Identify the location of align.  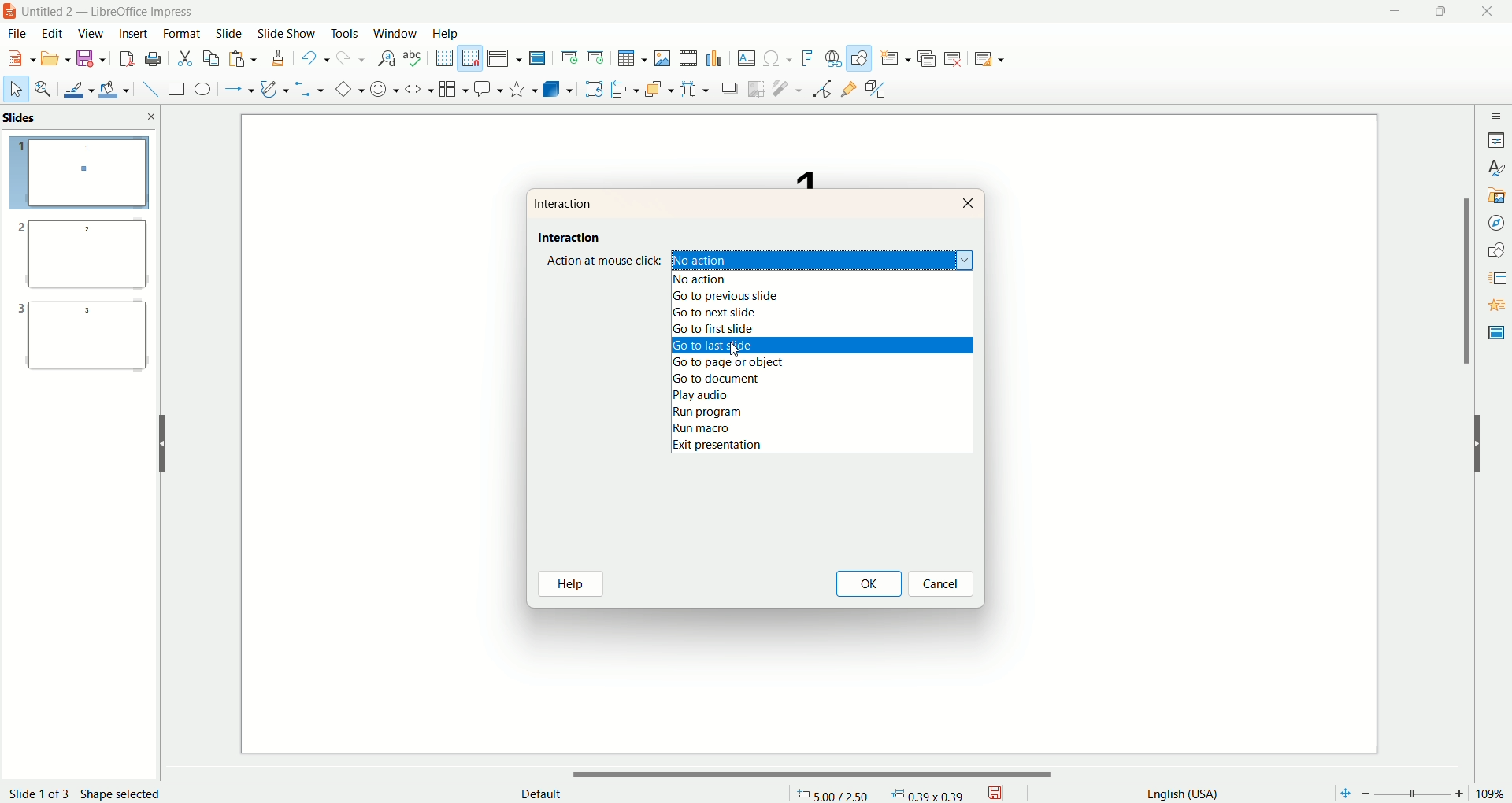
(623, 87).